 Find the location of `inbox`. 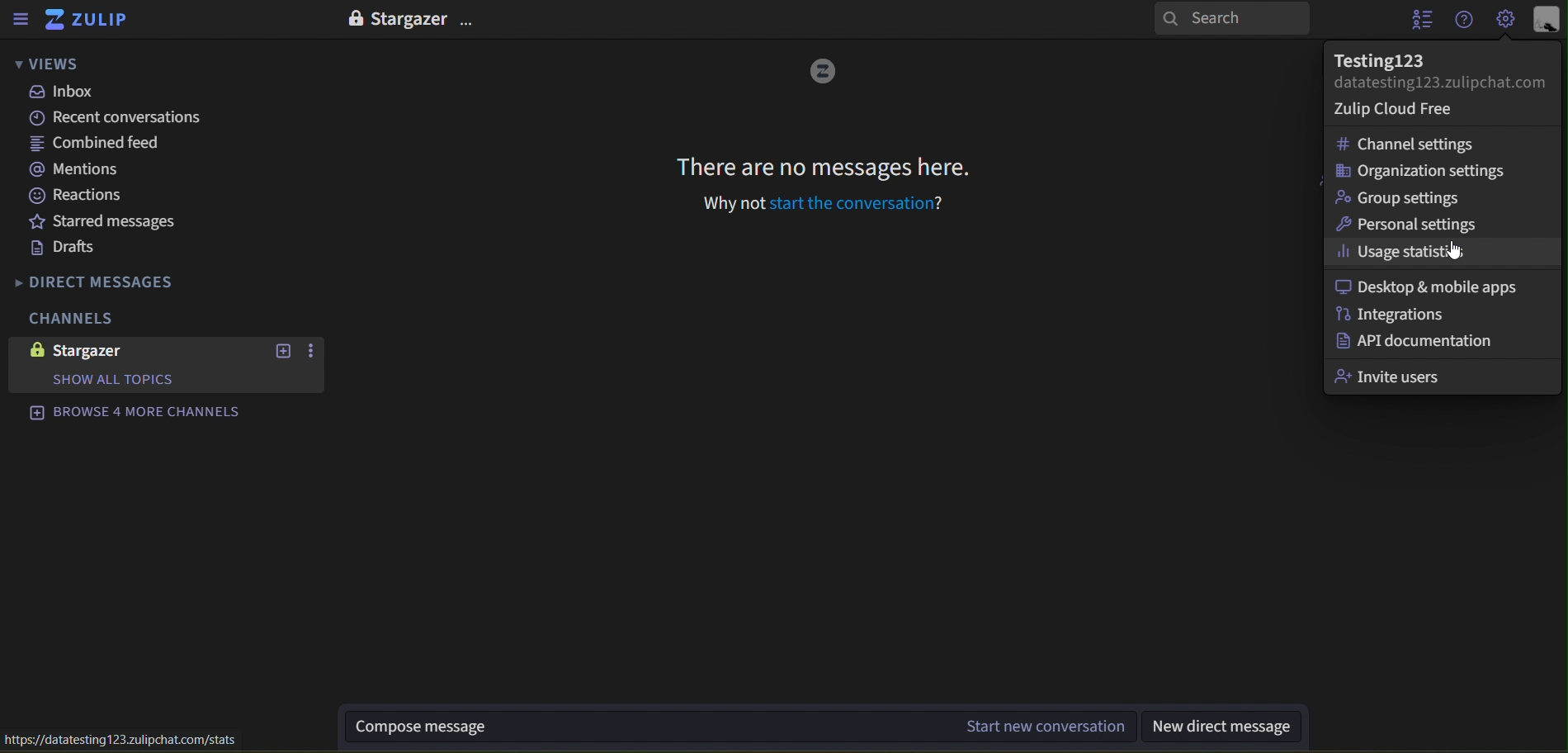

inbox is located at coordinates (61, 92).